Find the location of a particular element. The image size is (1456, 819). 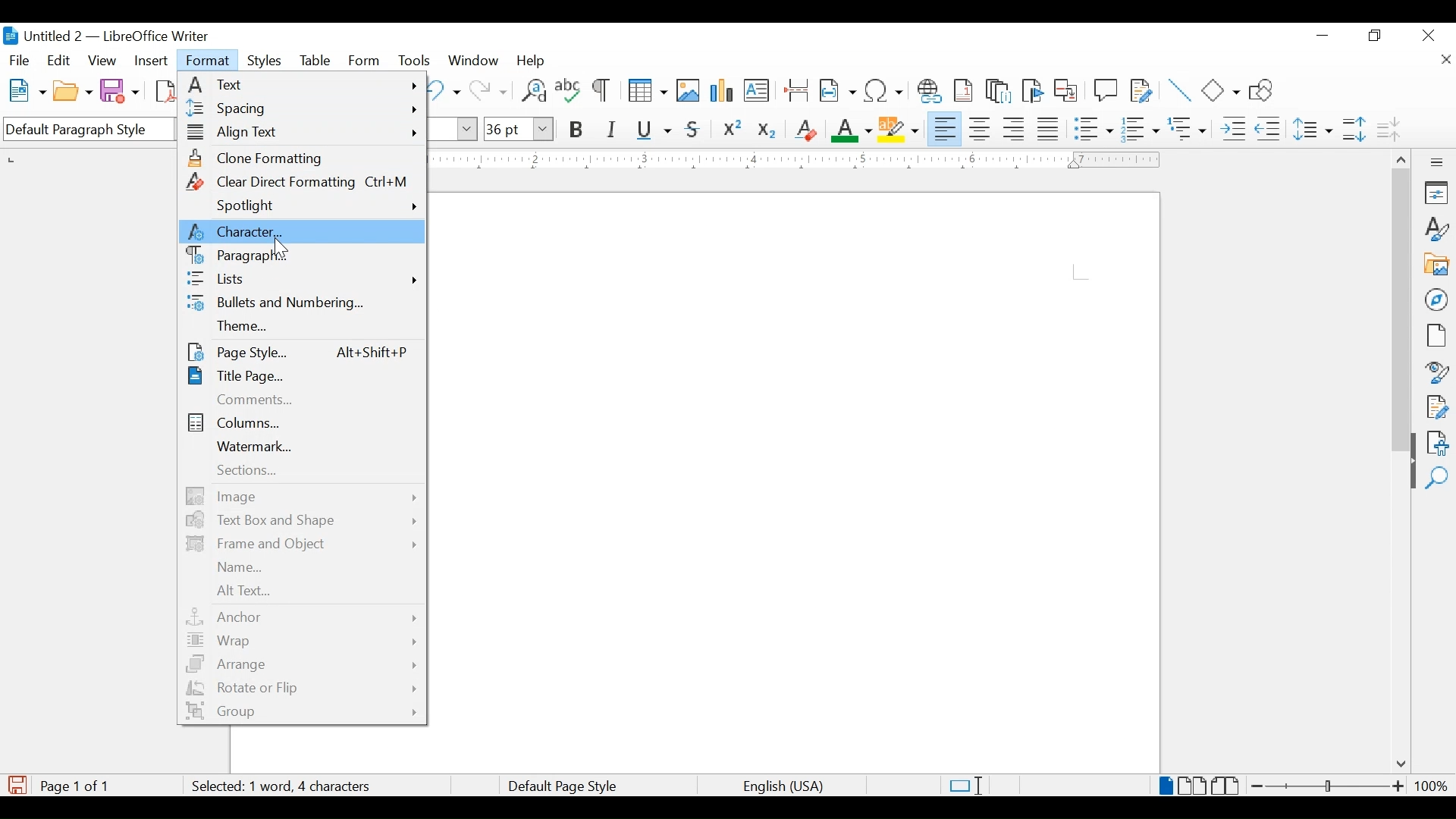

minimize is located at coordinates (1324, 36).